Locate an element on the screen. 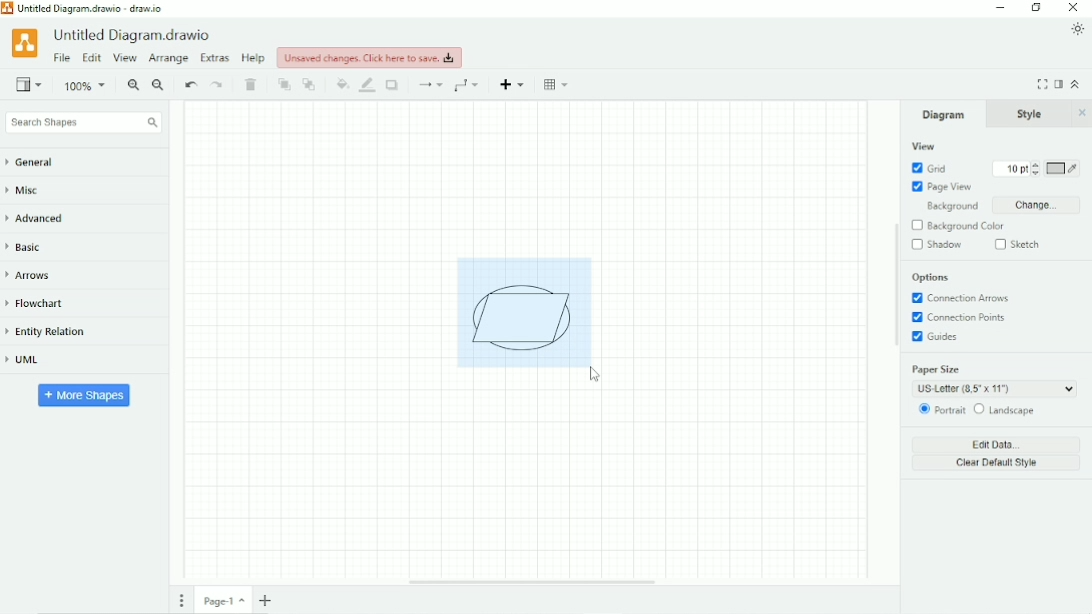  Connection points is located at coordinates (963, 318).